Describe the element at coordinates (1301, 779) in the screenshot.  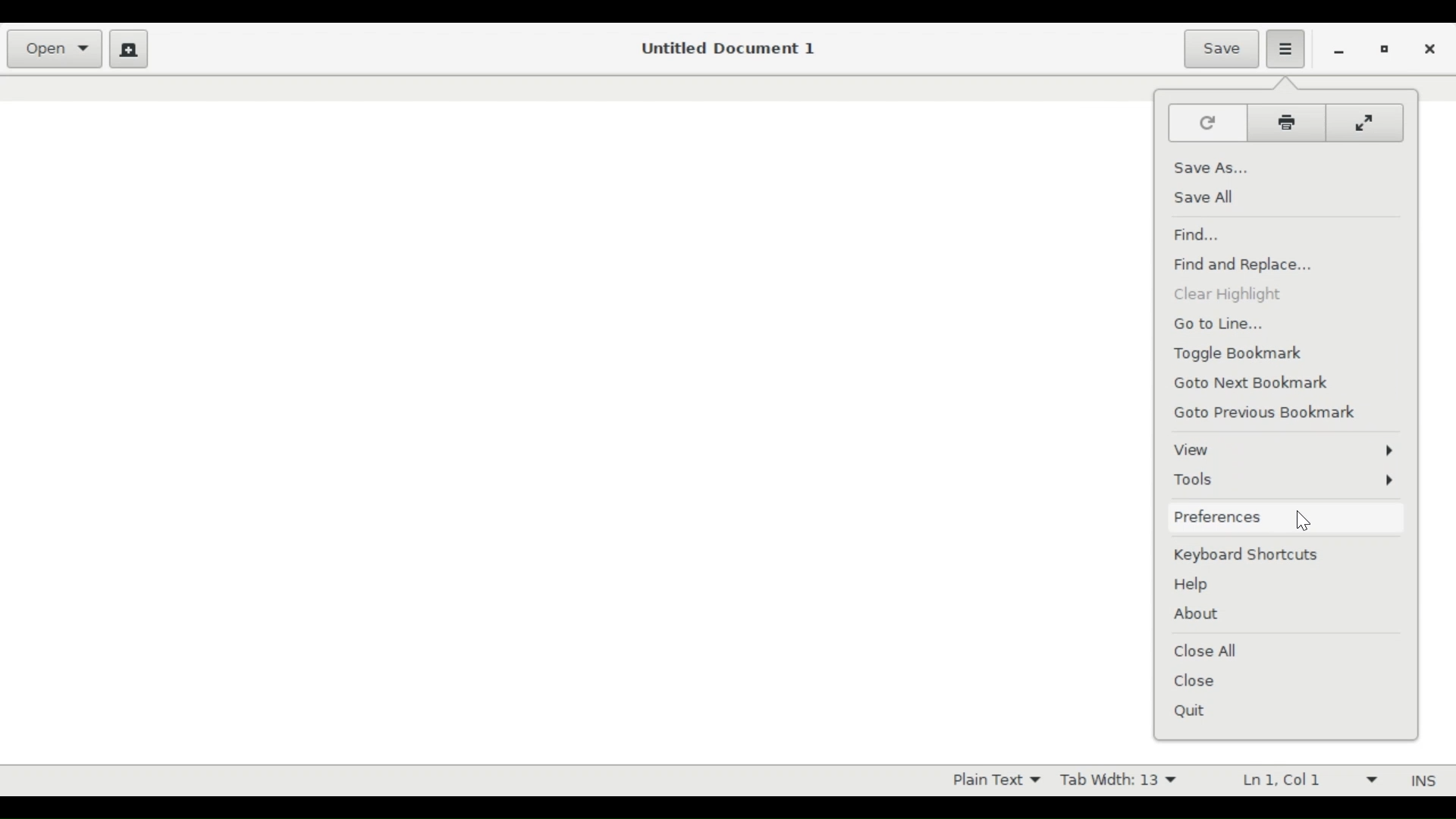
I see `Ln 1 Col 1` at that location.